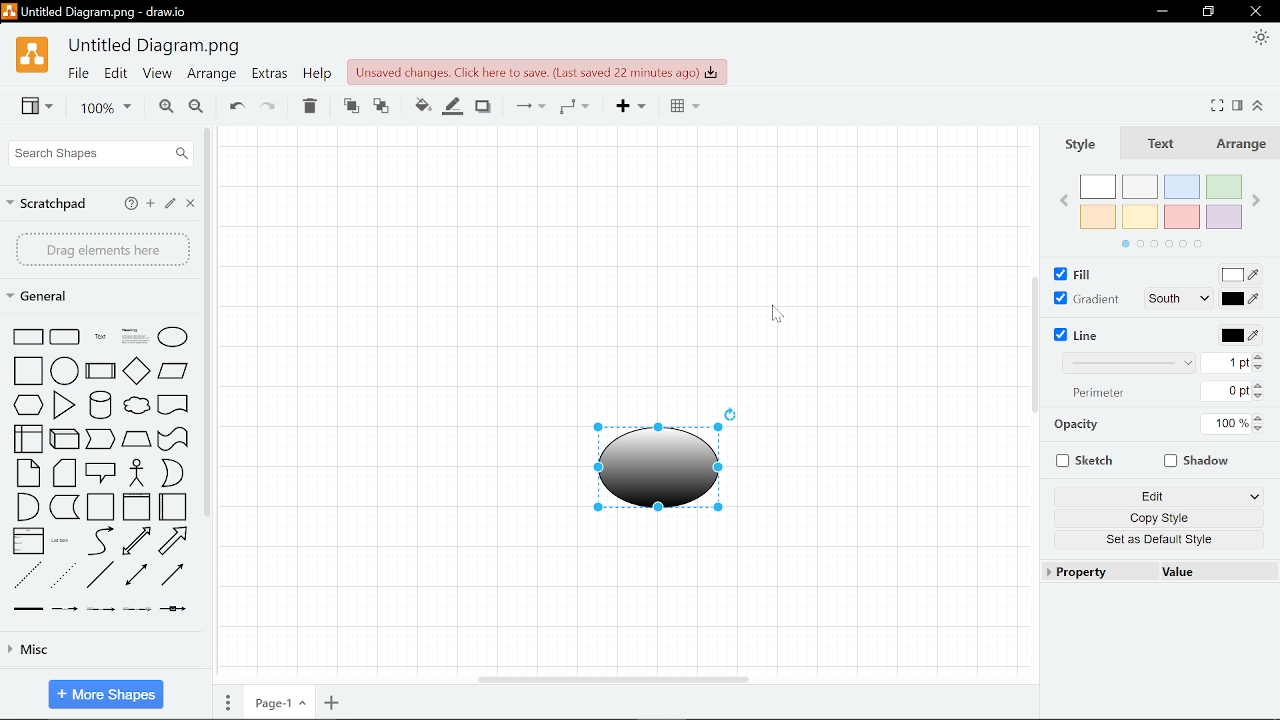 The height and width of the screenshot is (720, 1280). I want to click on add, so click(149, 204).